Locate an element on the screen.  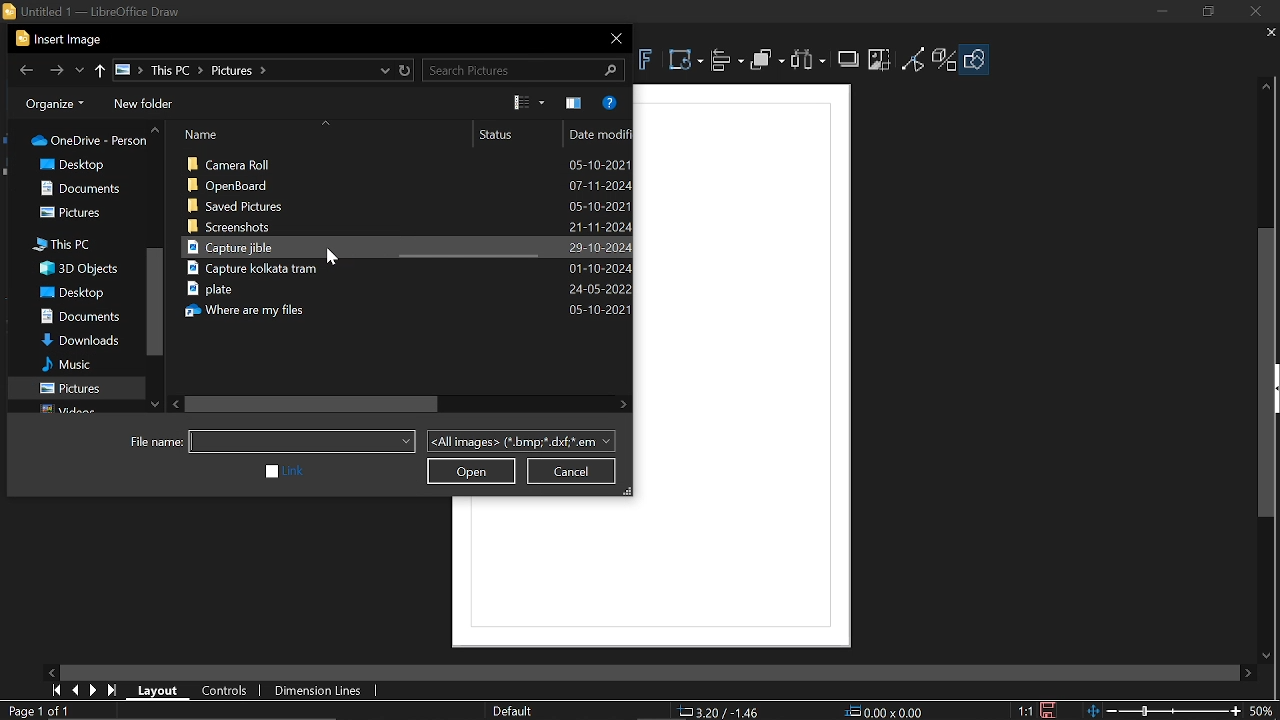
Minimize is located at coordinates (1161, 15).